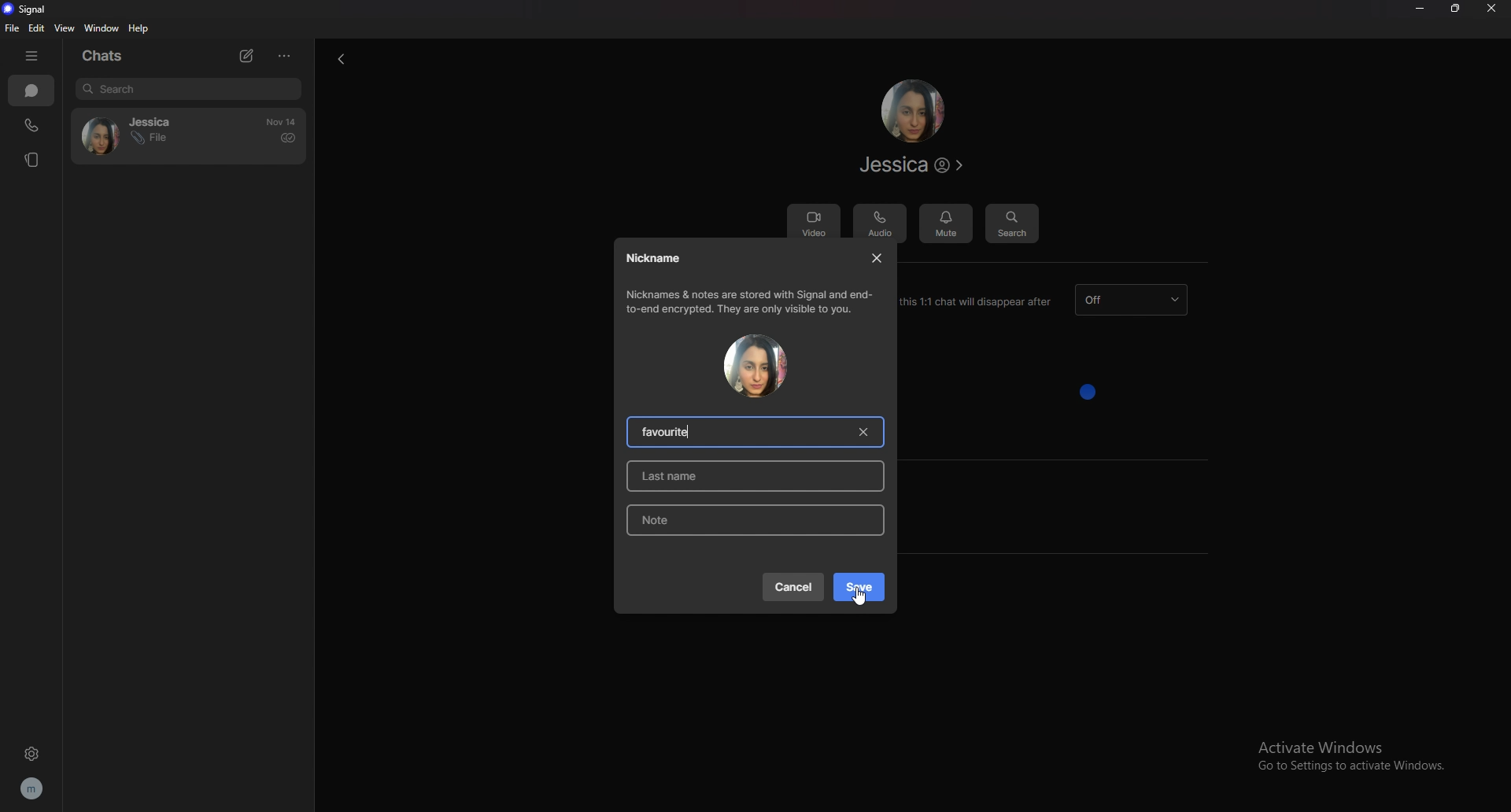  Describe the element at coordinates (861, 432) in the screenshot. I see `clear input` at that location.